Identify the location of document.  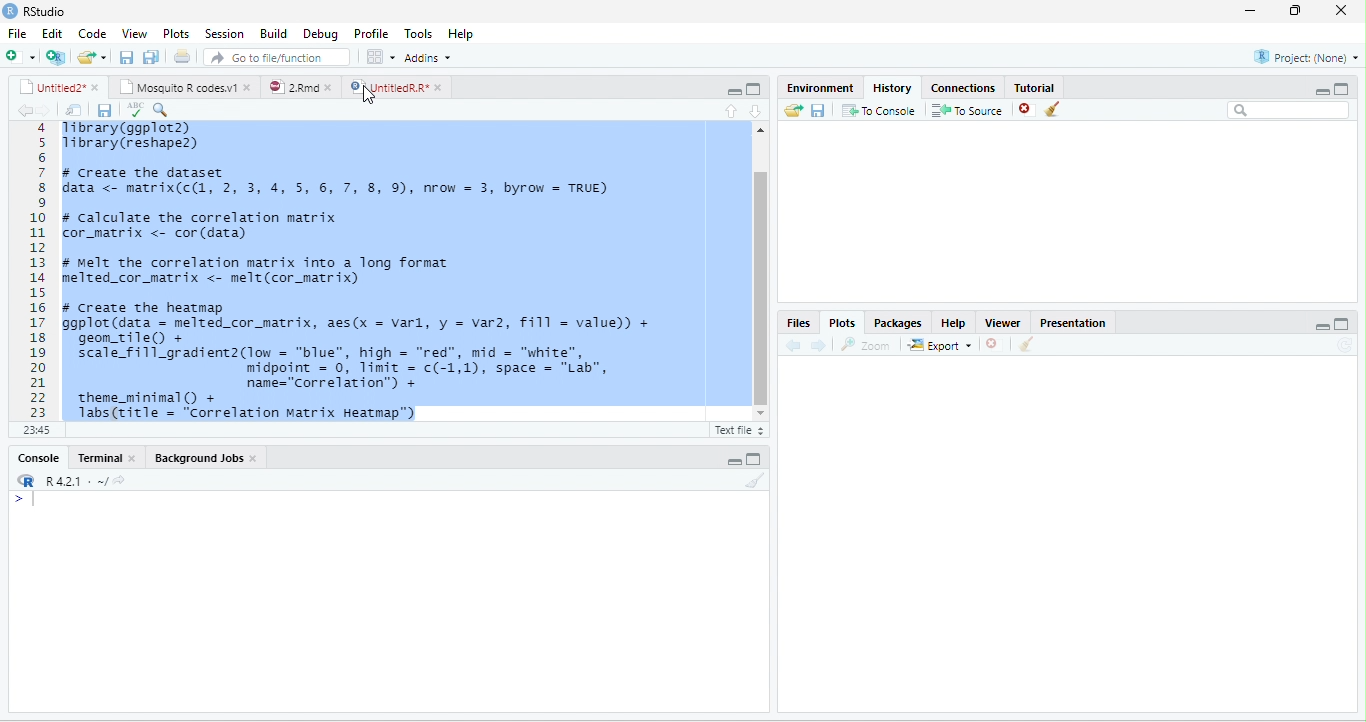
(181, 56).